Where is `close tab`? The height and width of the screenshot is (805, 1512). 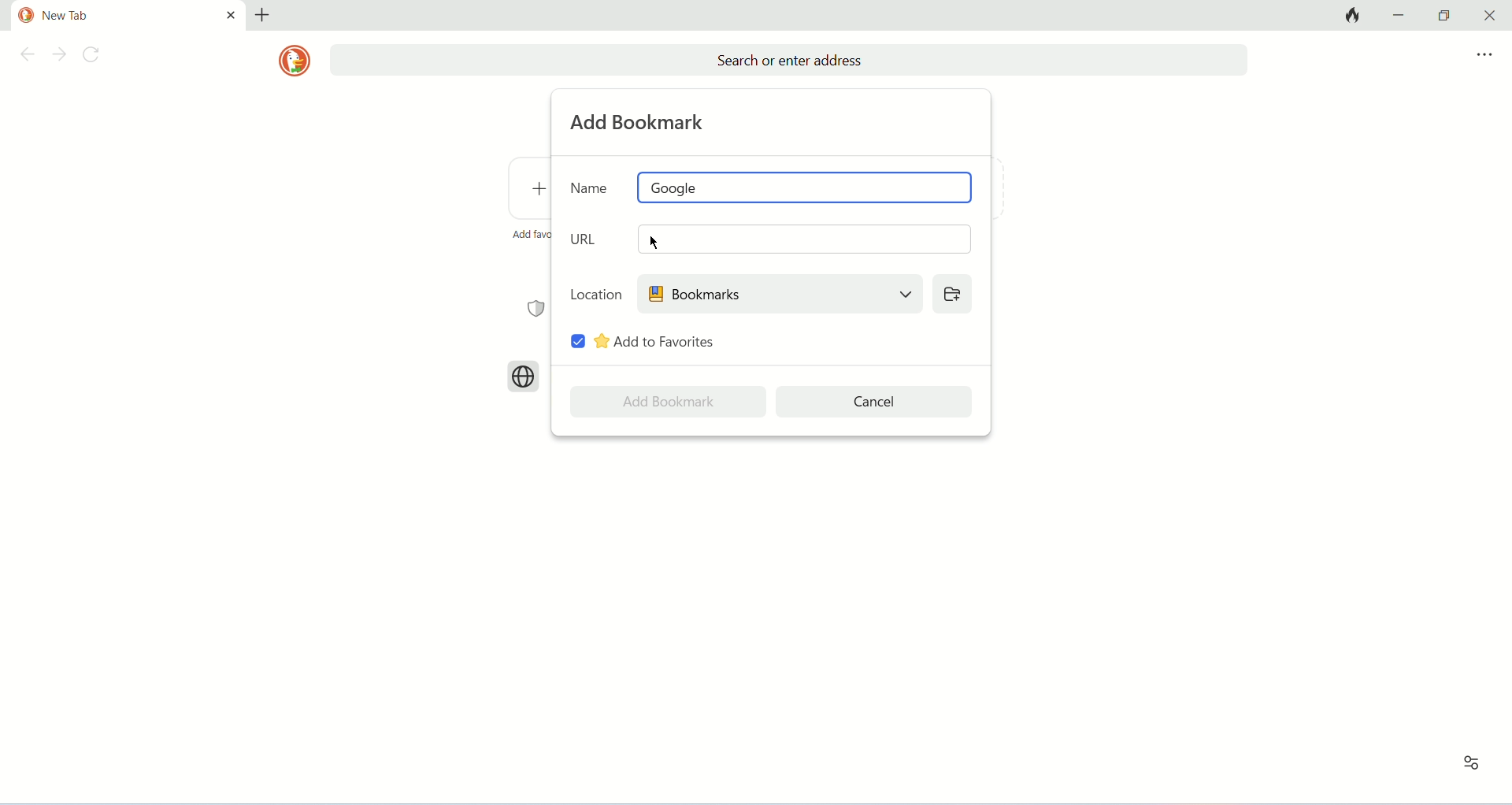
close tab is located at coordinates (231, 14).